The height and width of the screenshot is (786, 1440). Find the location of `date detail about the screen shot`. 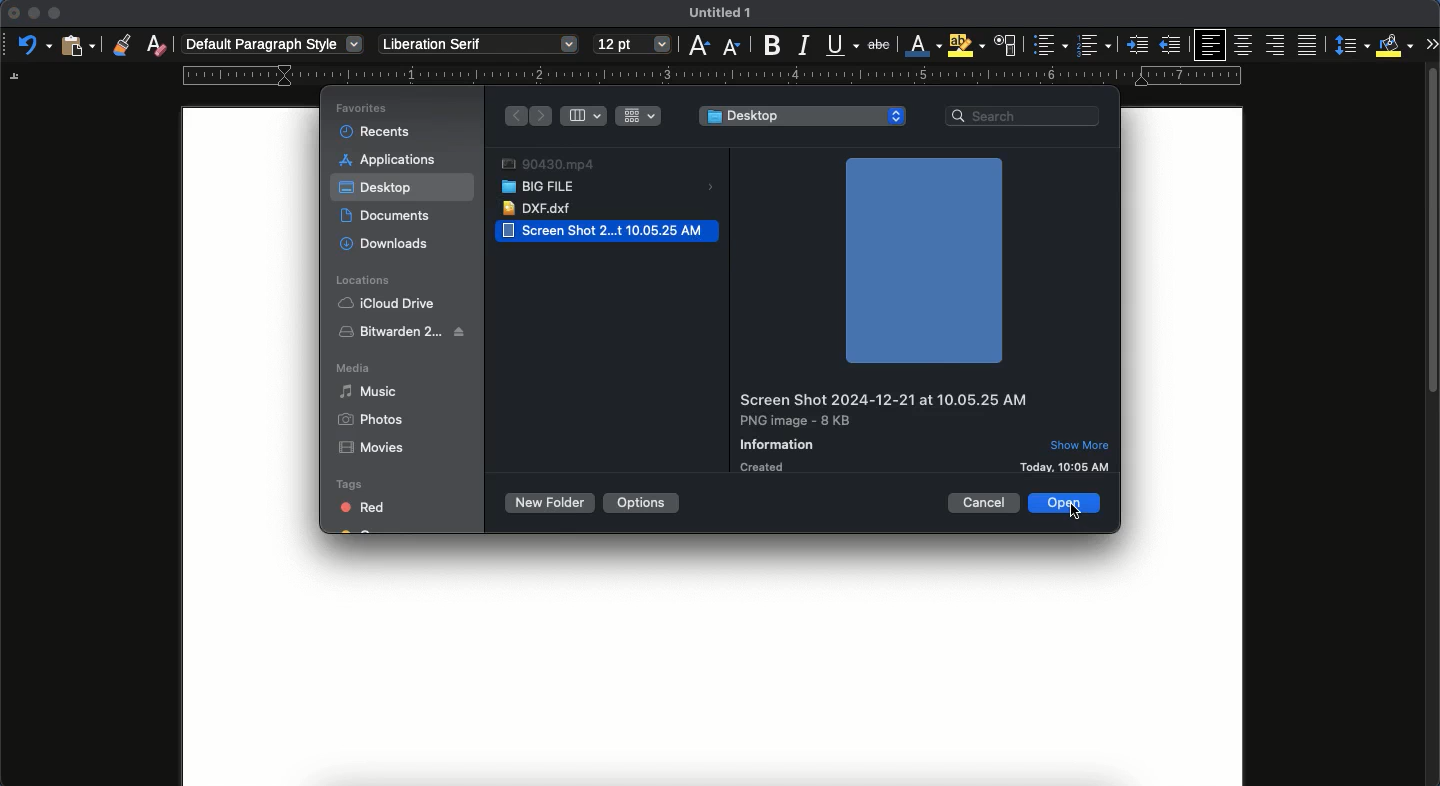

date detail about the screen shot is located at coordinates (1068, 466).